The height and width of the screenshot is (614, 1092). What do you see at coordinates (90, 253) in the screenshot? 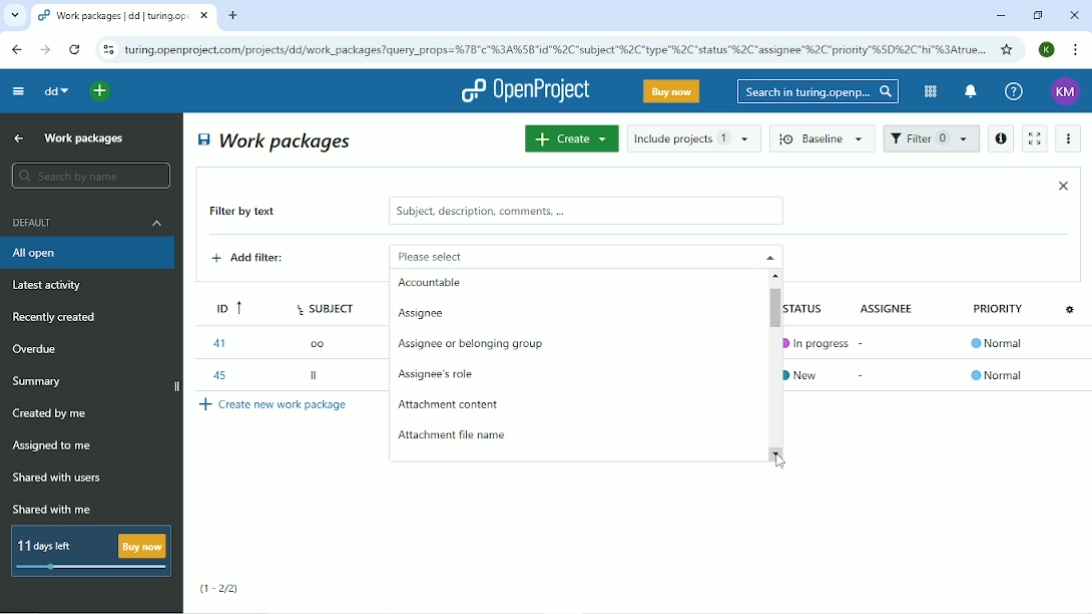
I see `All open` at bounding box center [90, 253].